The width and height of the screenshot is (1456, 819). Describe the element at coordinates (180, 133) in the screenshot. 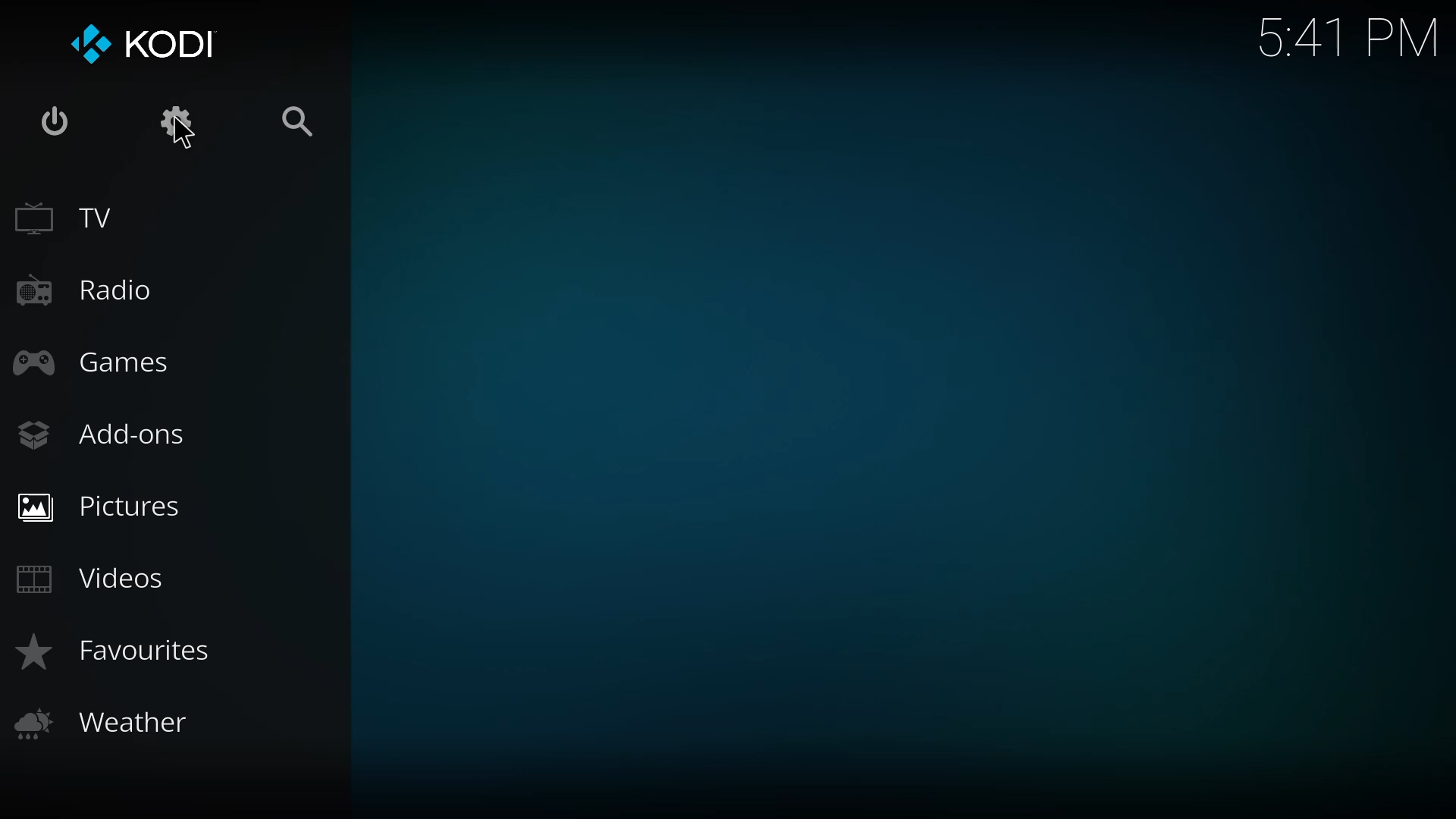

I see `cursor` at that location.